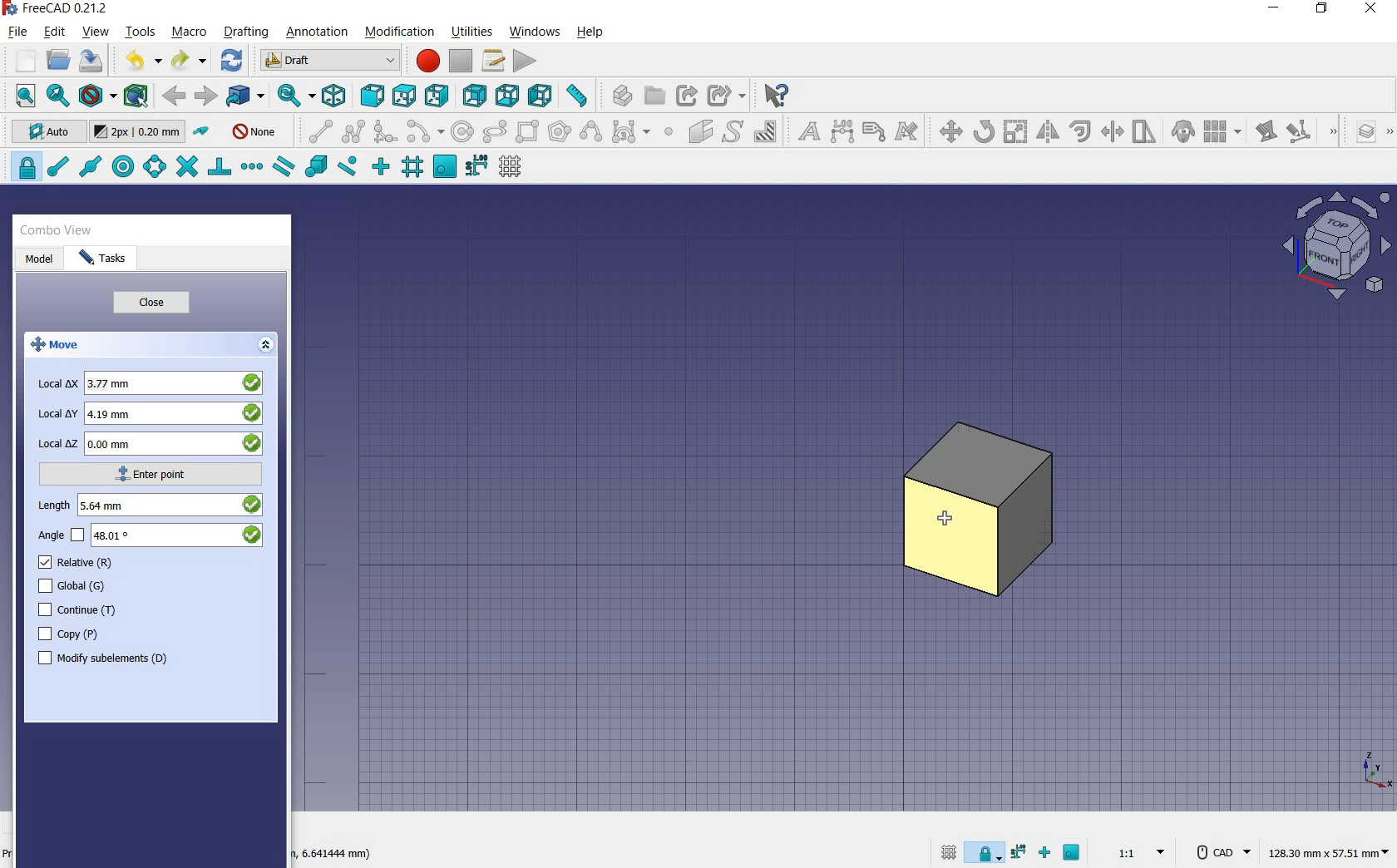 The image size is (1397, 868). I want to click on Bezier tools, so click(630, 133).